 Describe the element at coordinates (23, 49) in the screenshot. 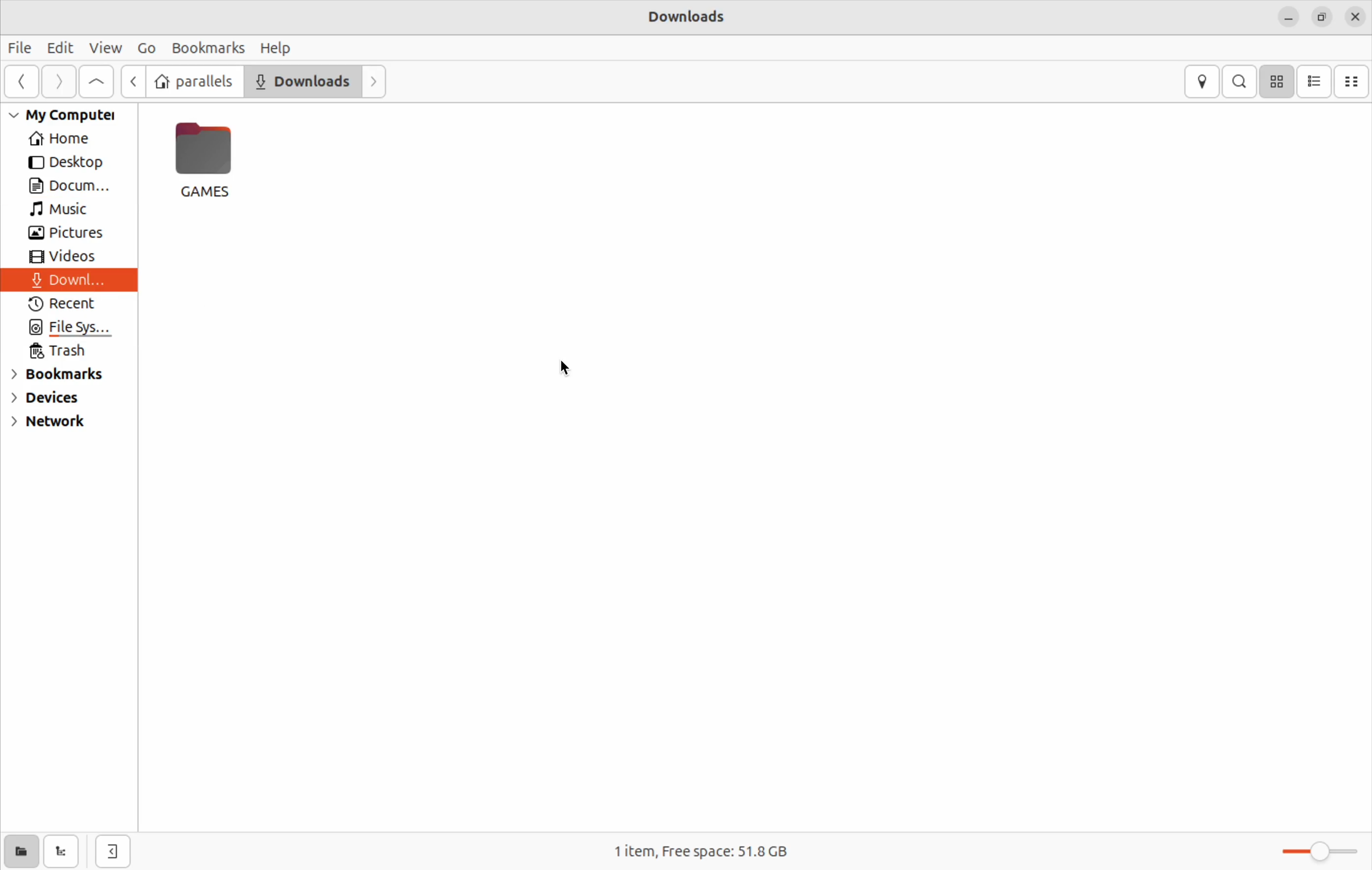

I see `file` at that location.